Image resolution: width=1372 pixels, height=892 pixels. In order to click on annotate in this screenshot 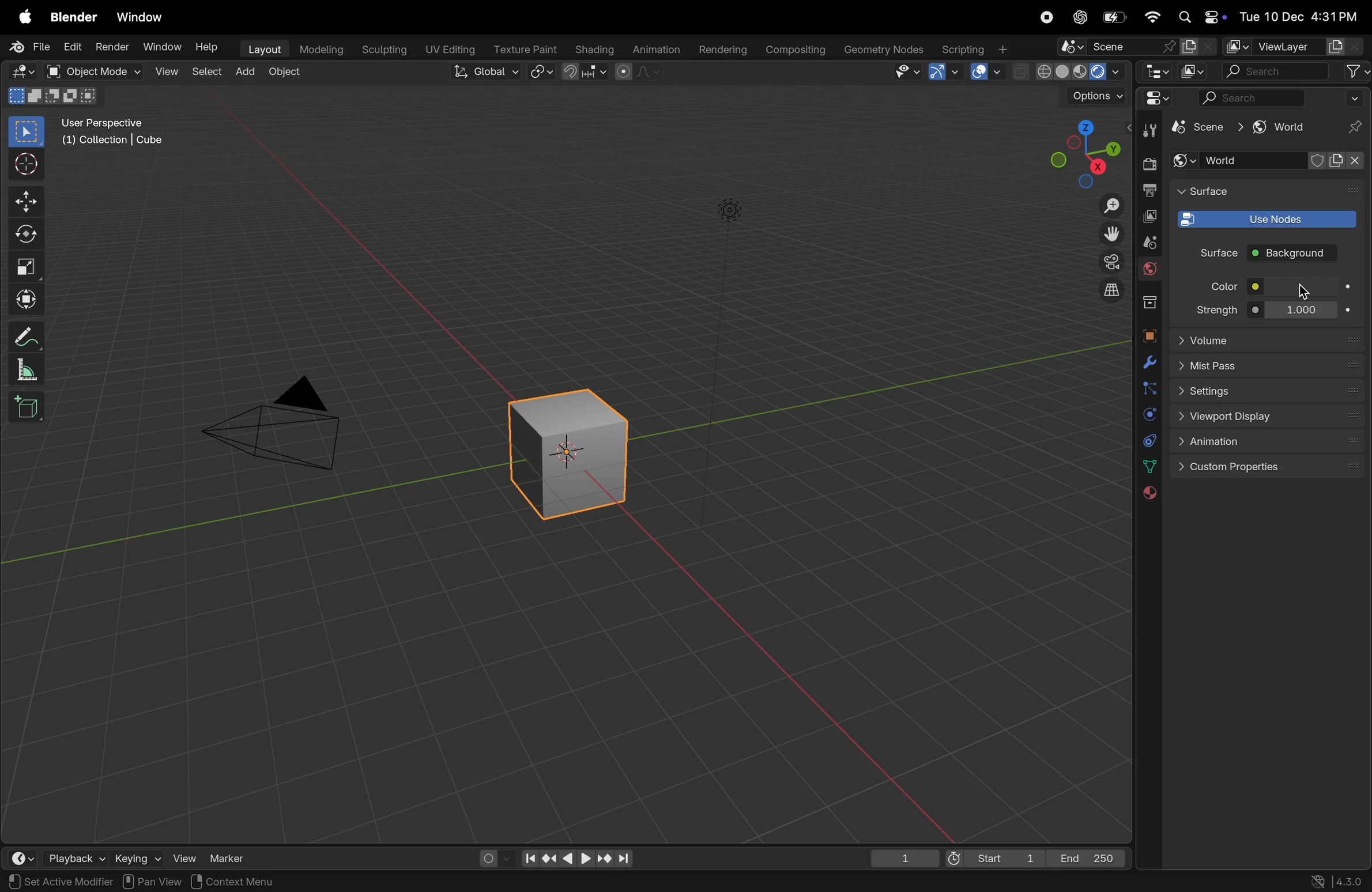, I will do `click(29, 334)`.